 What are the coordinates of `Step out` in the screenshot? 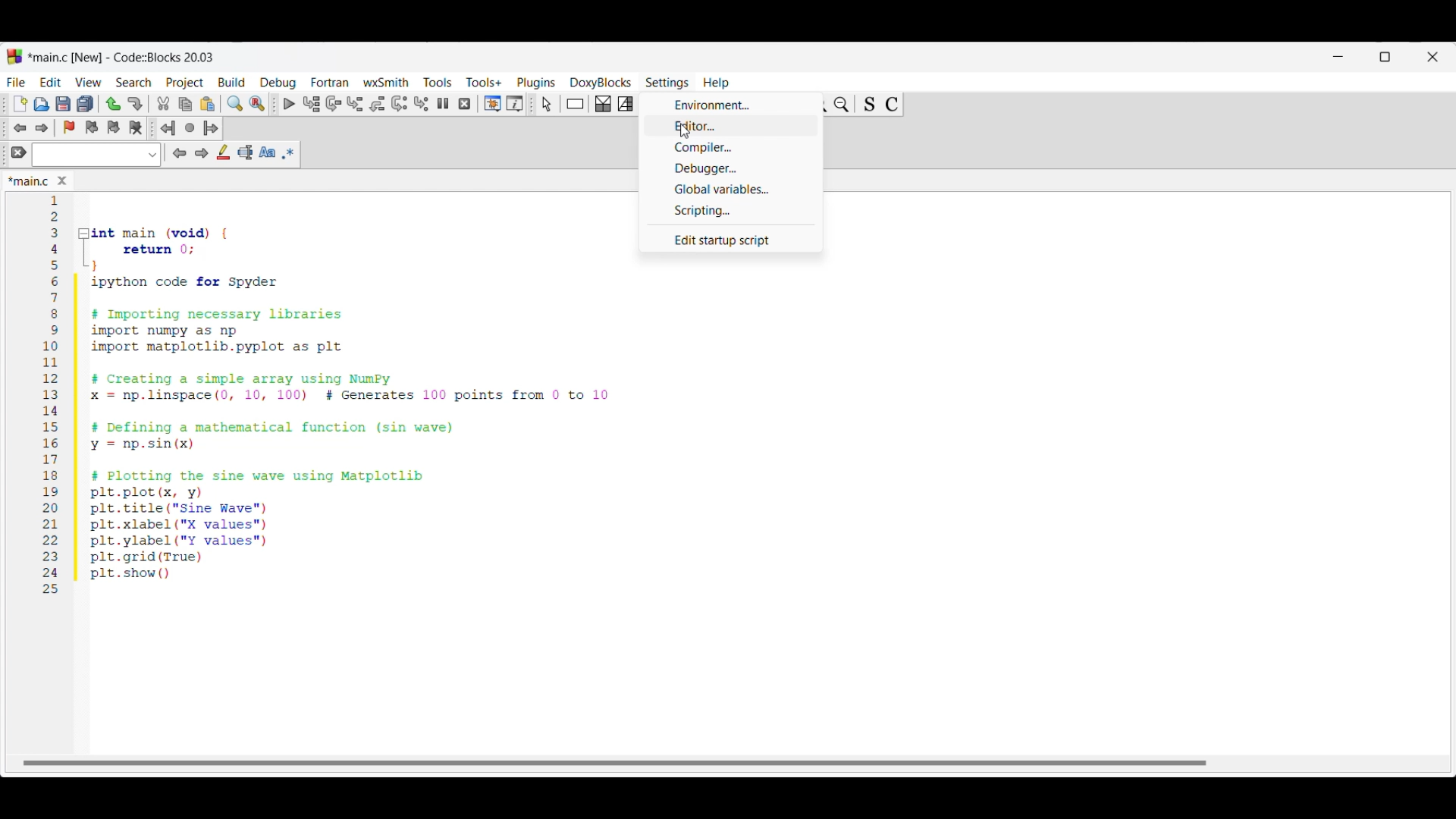 It's located at (378, 104).